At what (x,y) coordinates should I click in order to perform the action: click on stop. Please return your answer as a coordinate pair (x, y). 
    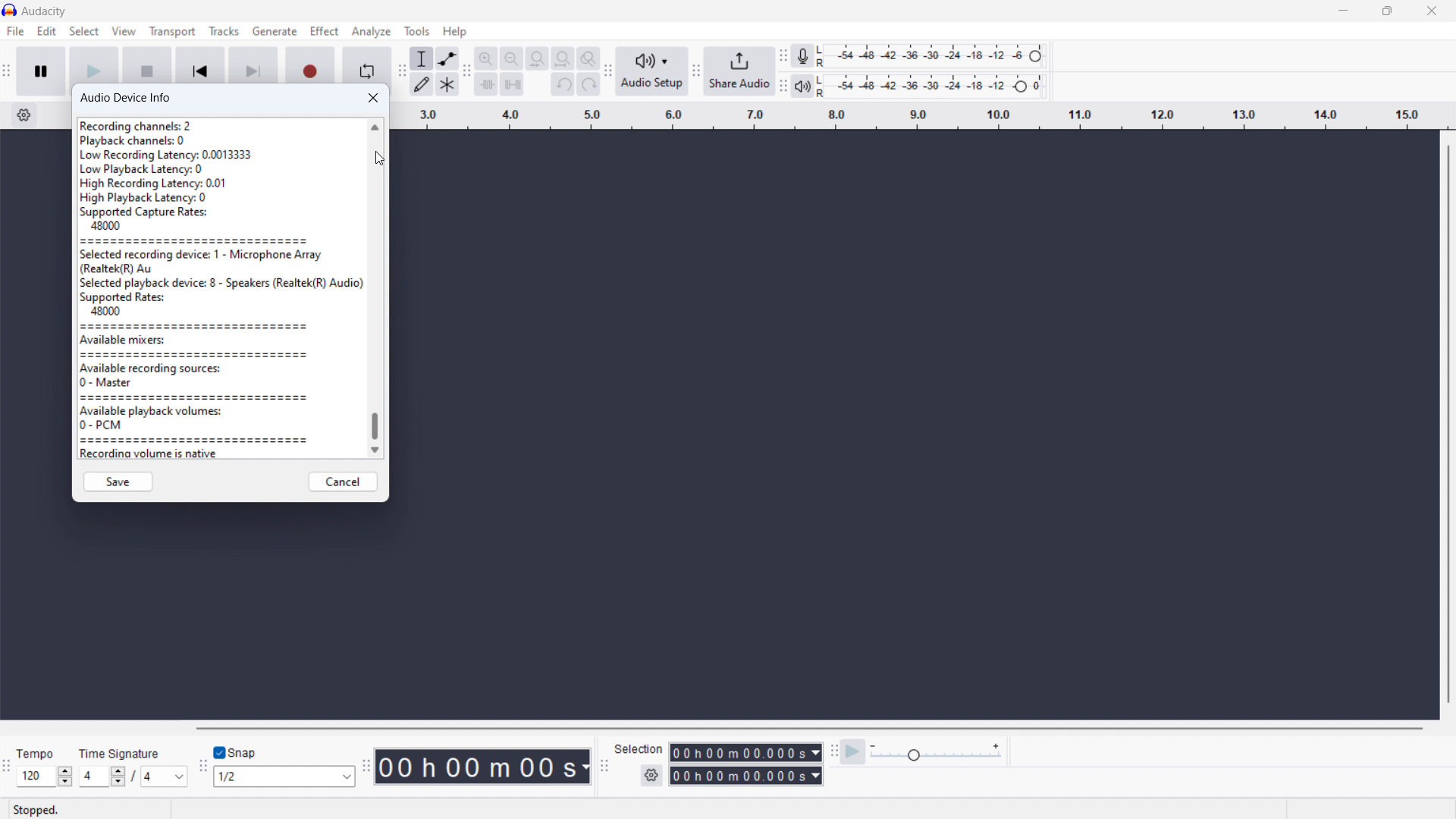
    Looking at the image, I should click on (147, 63).